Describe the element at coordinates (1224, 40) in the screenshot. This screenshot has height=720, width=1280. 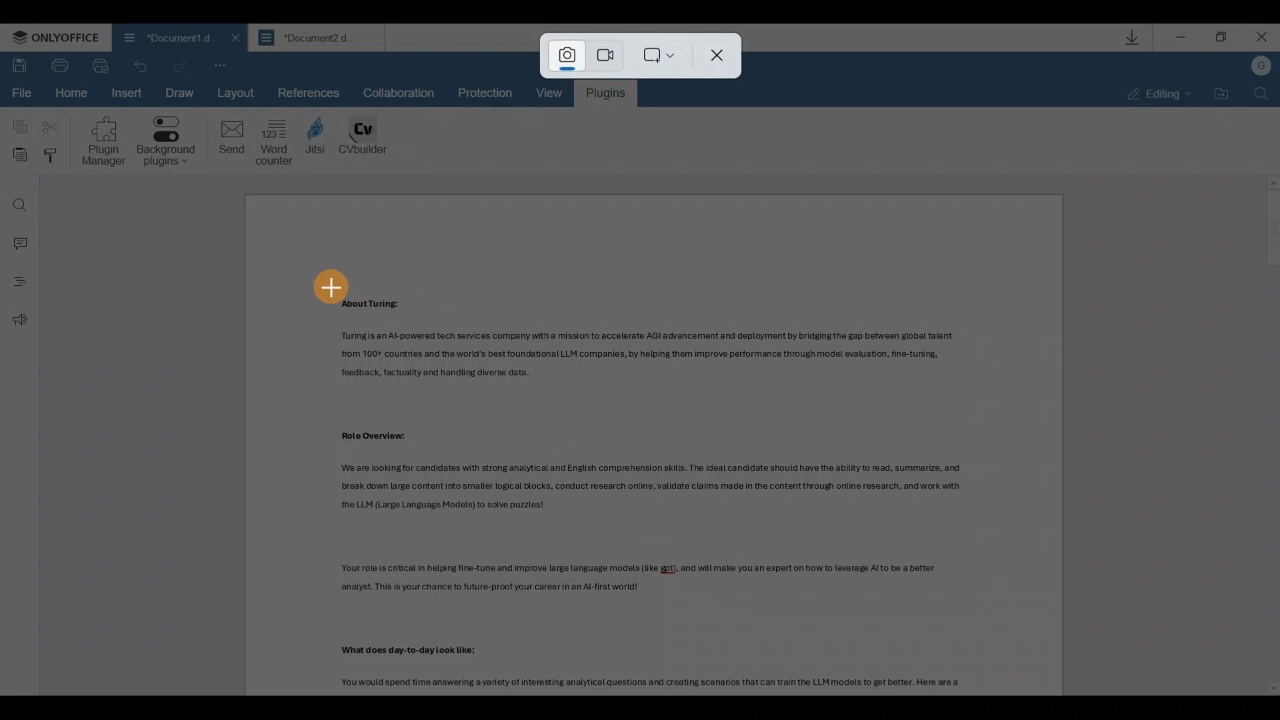
I see `Maximize` at that location.